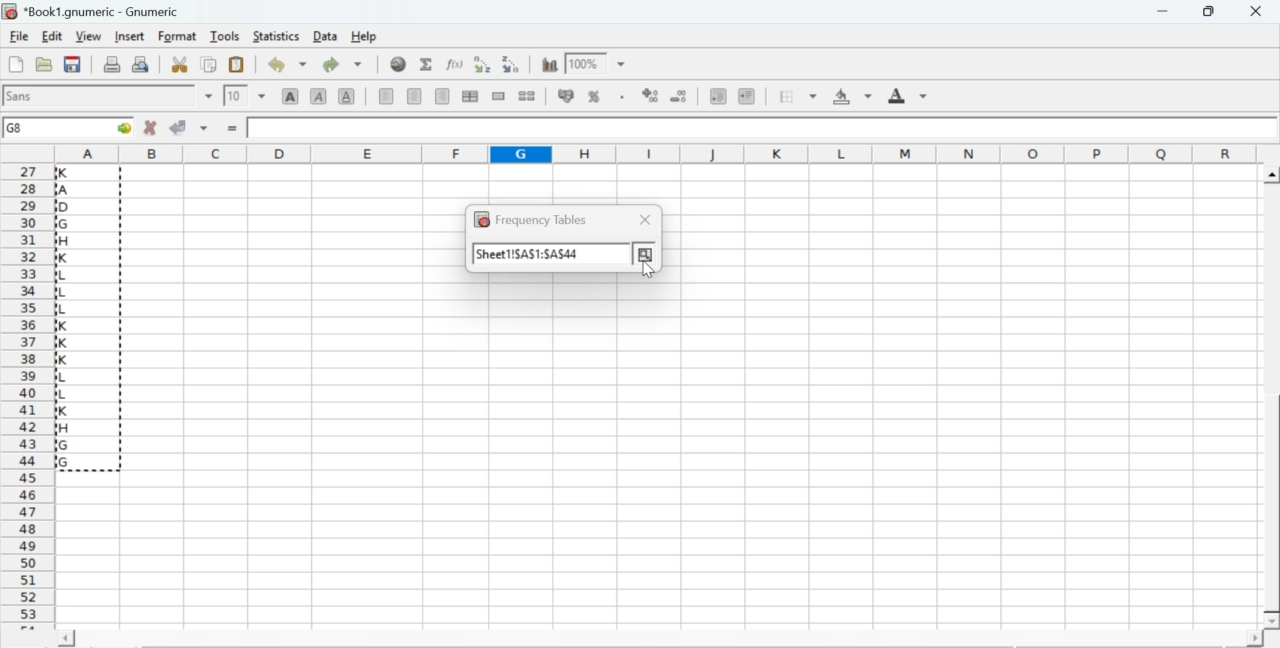 This screenshot has height=648, width=1280. What do you see at coordinates (88, 35) in the screenshot?
I see `view` at bounding box center [88, 35].